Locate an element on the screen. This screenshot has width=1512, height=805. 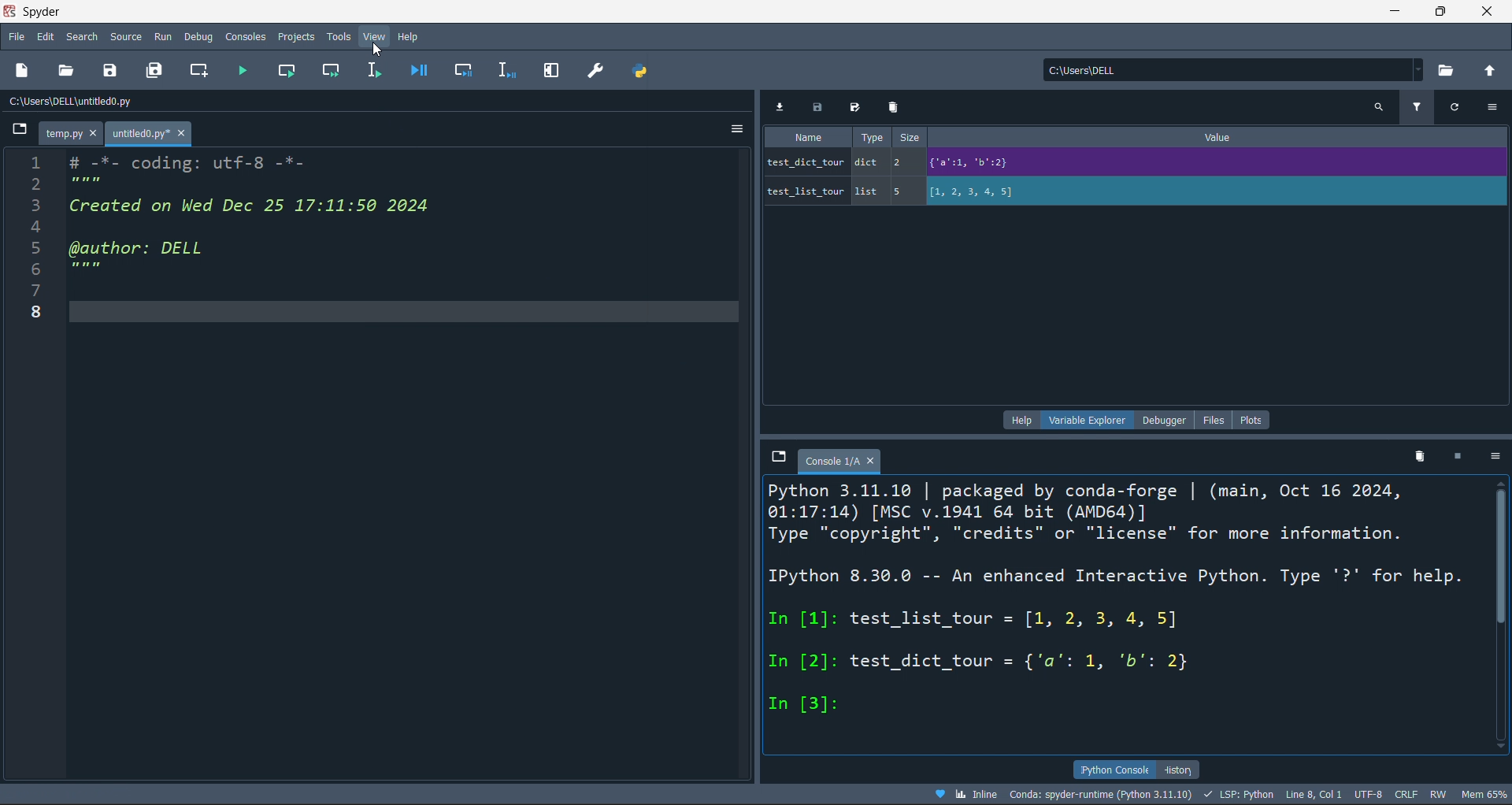
2 is located at coordinates (903, 161).